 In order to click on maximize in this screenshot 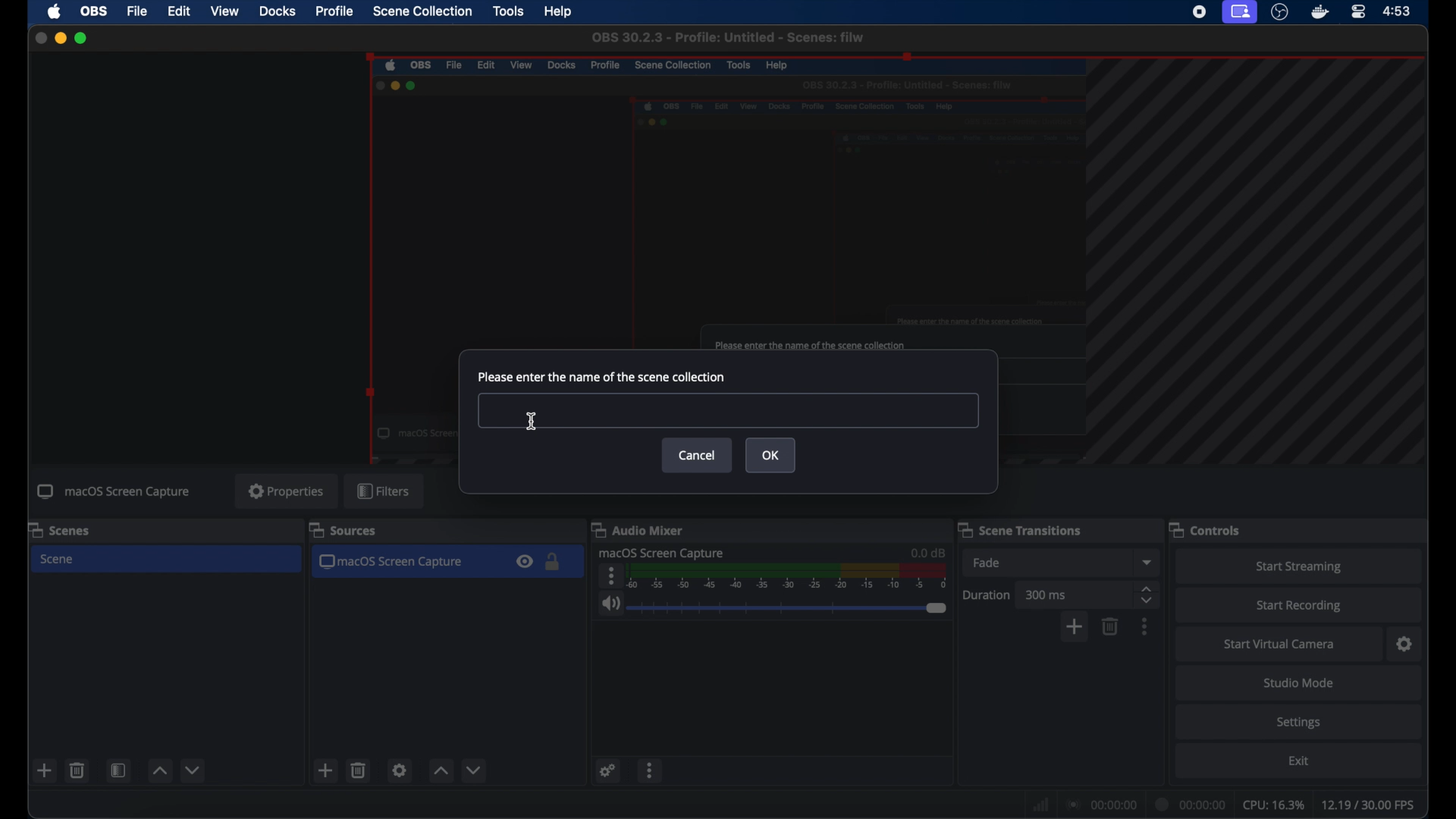, I will do `click(86, 39)`.